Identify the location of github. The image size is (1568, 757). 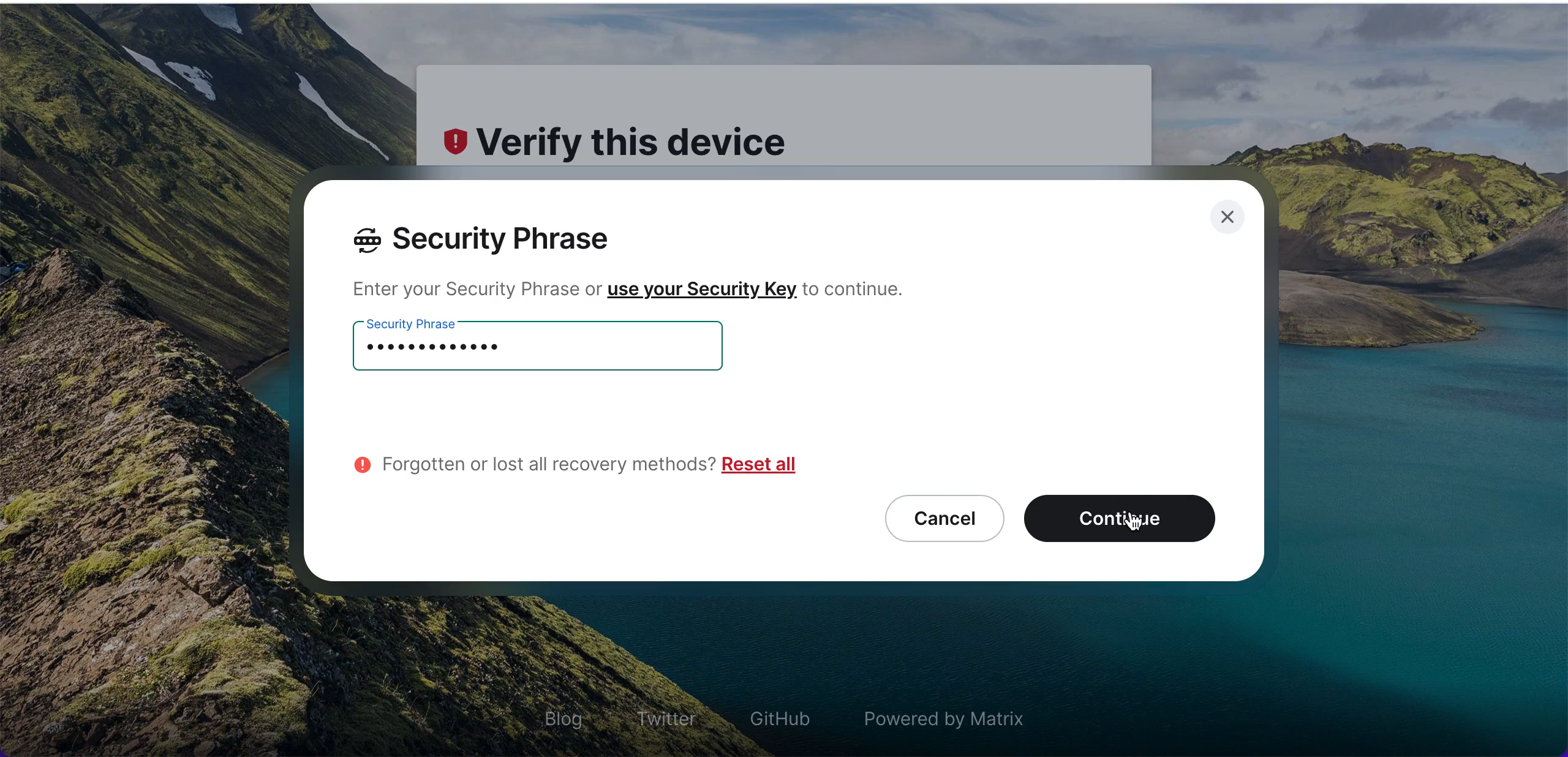
(778, 717).